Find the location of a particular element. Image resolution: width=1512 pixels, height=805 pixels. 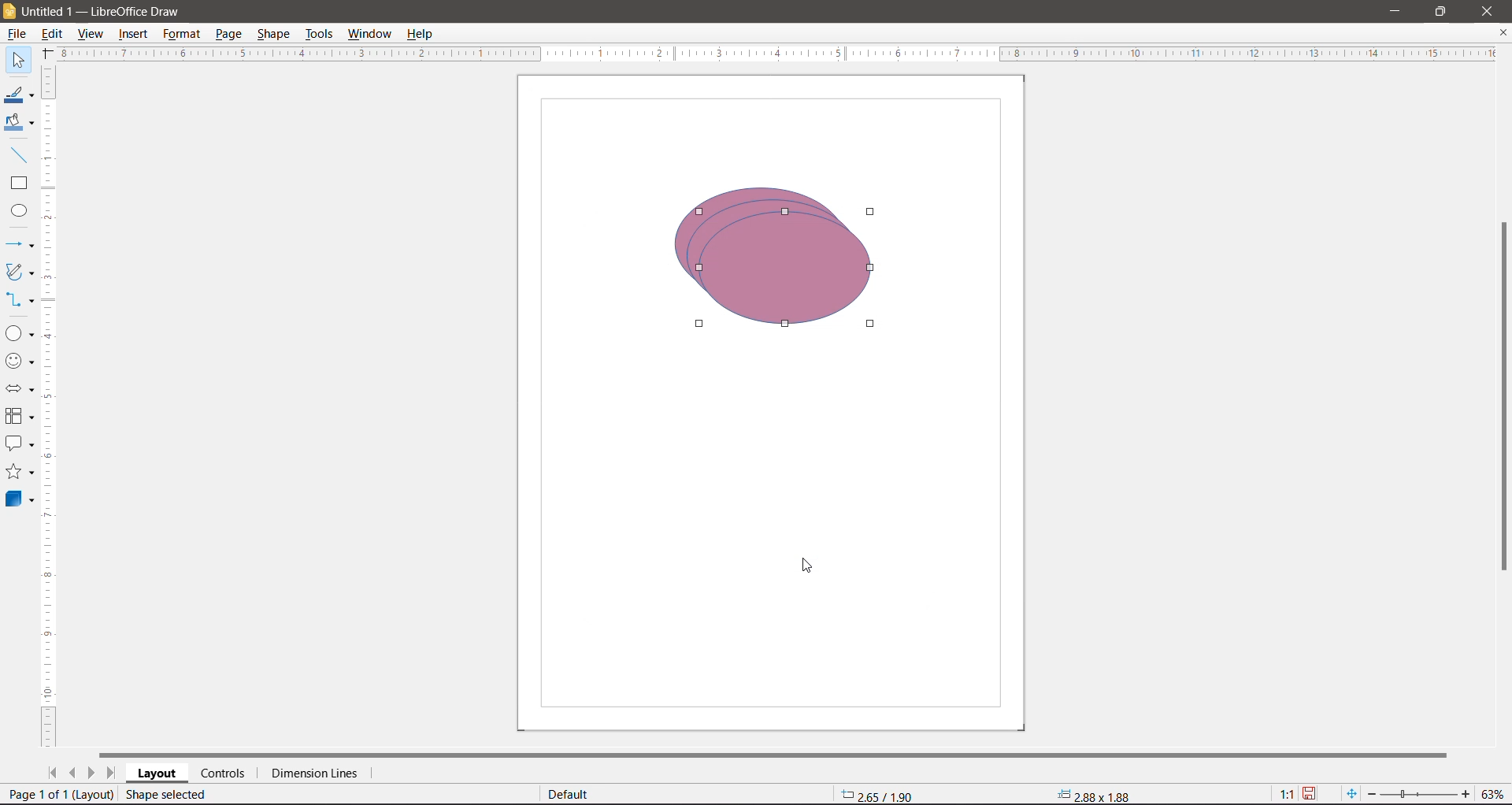

Symbol Shapes is located at coordinates (22, 363).